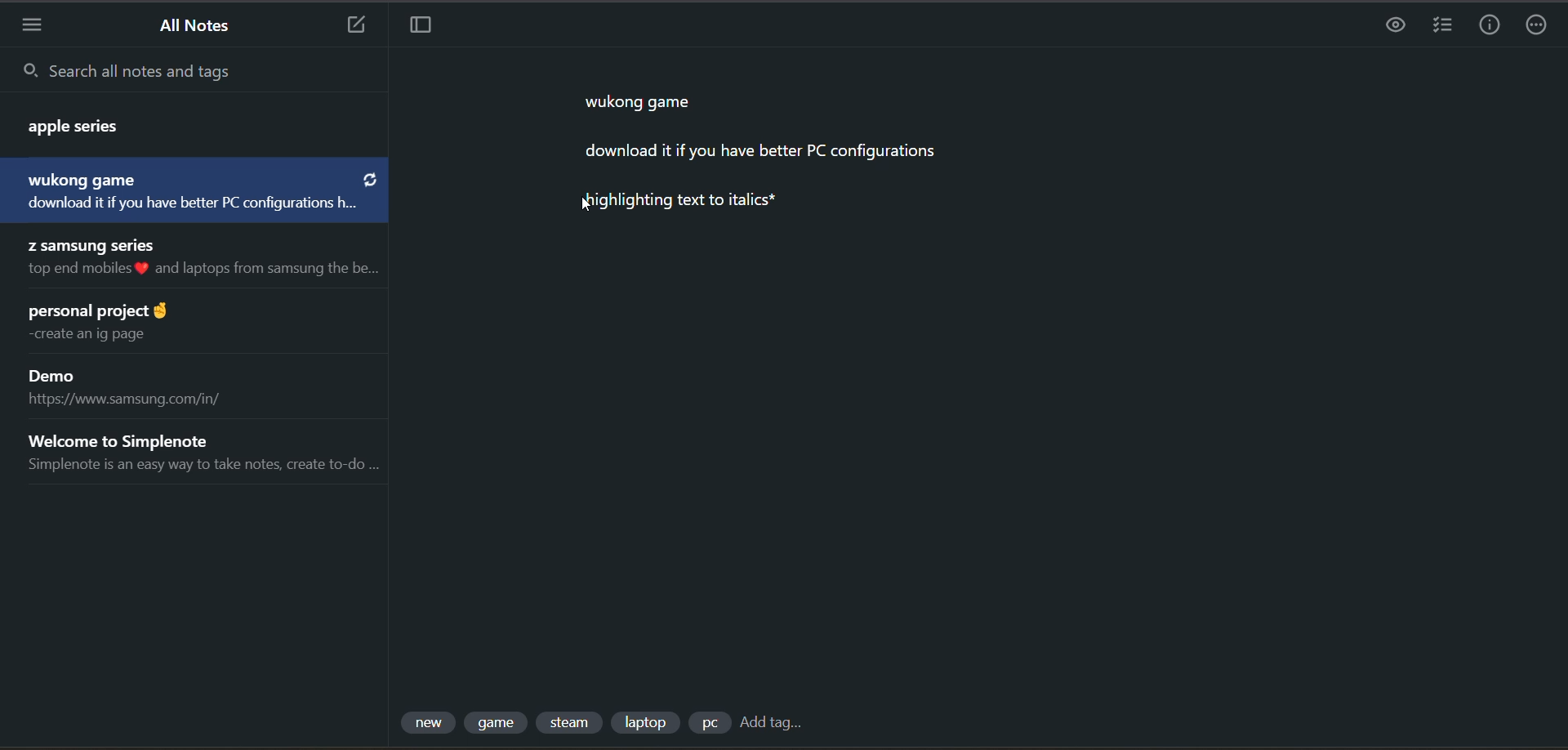  Describe the element at coordinates (209, 261) in the screenshot. I see `note title and preview` at that location.